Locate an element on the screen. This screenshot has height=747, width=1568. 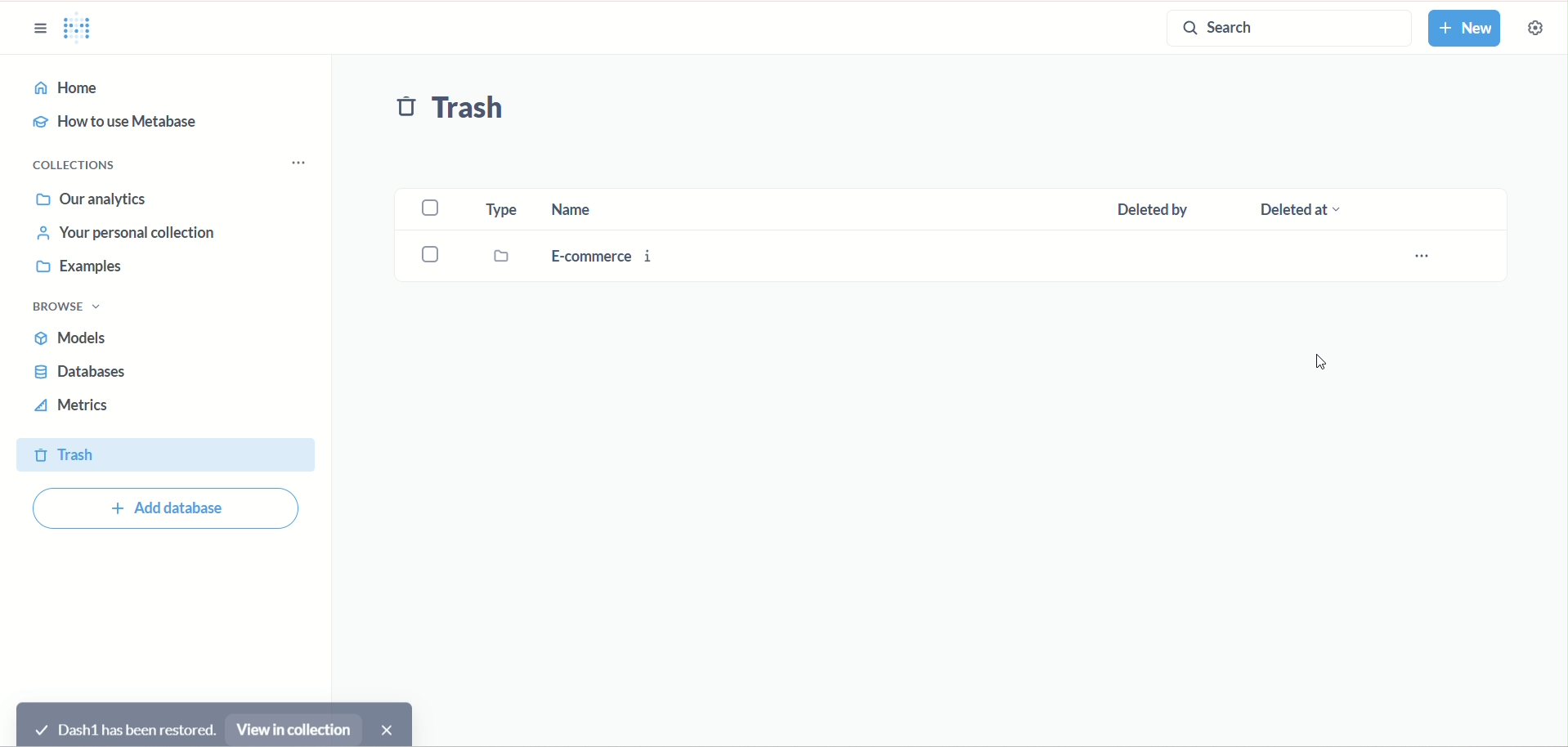
trash is located at coordinates (164, 454).